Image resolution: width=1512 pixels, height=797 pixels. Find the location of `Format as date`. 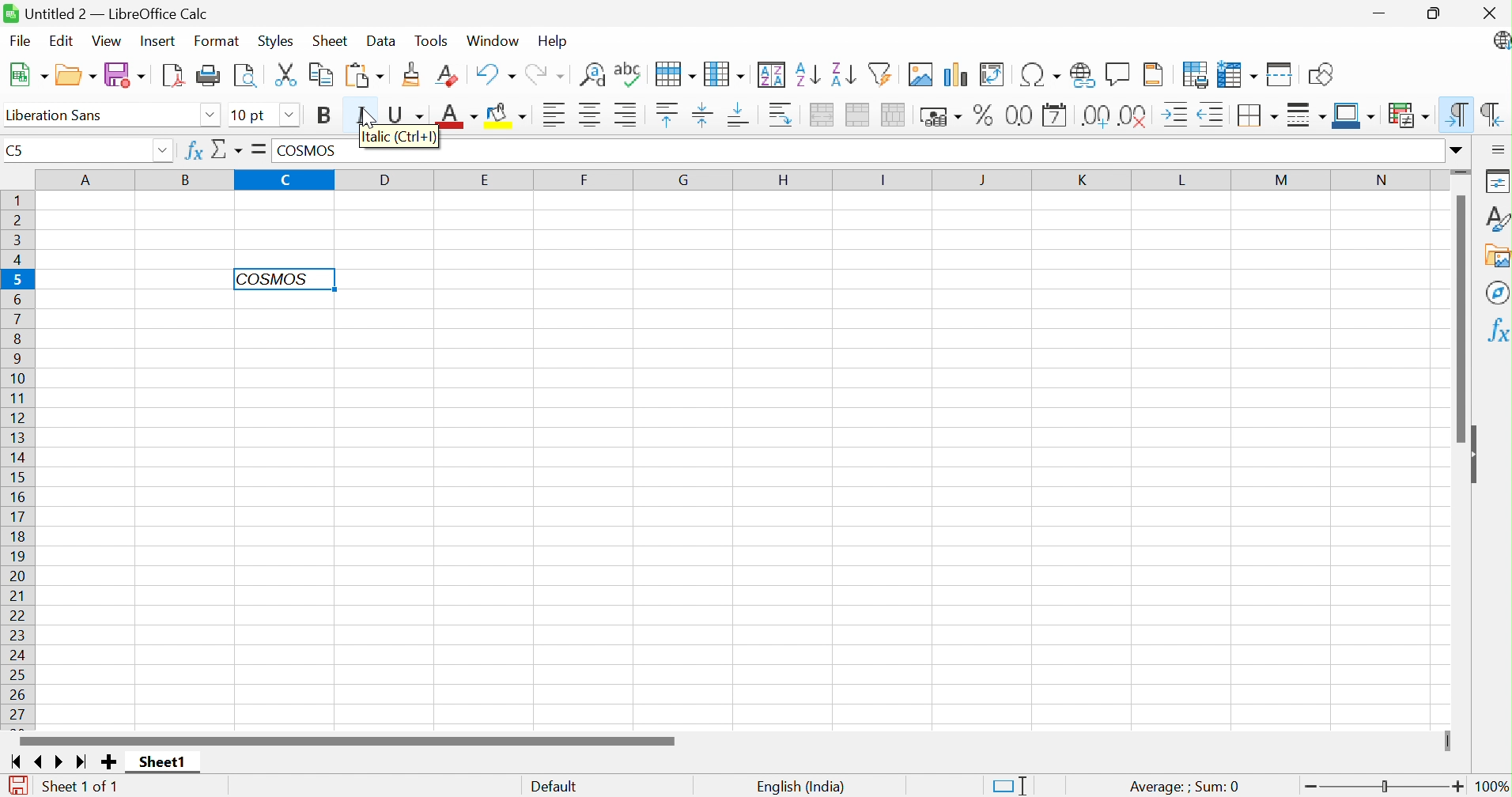

Format as date is located at coordinates (1055, 115).